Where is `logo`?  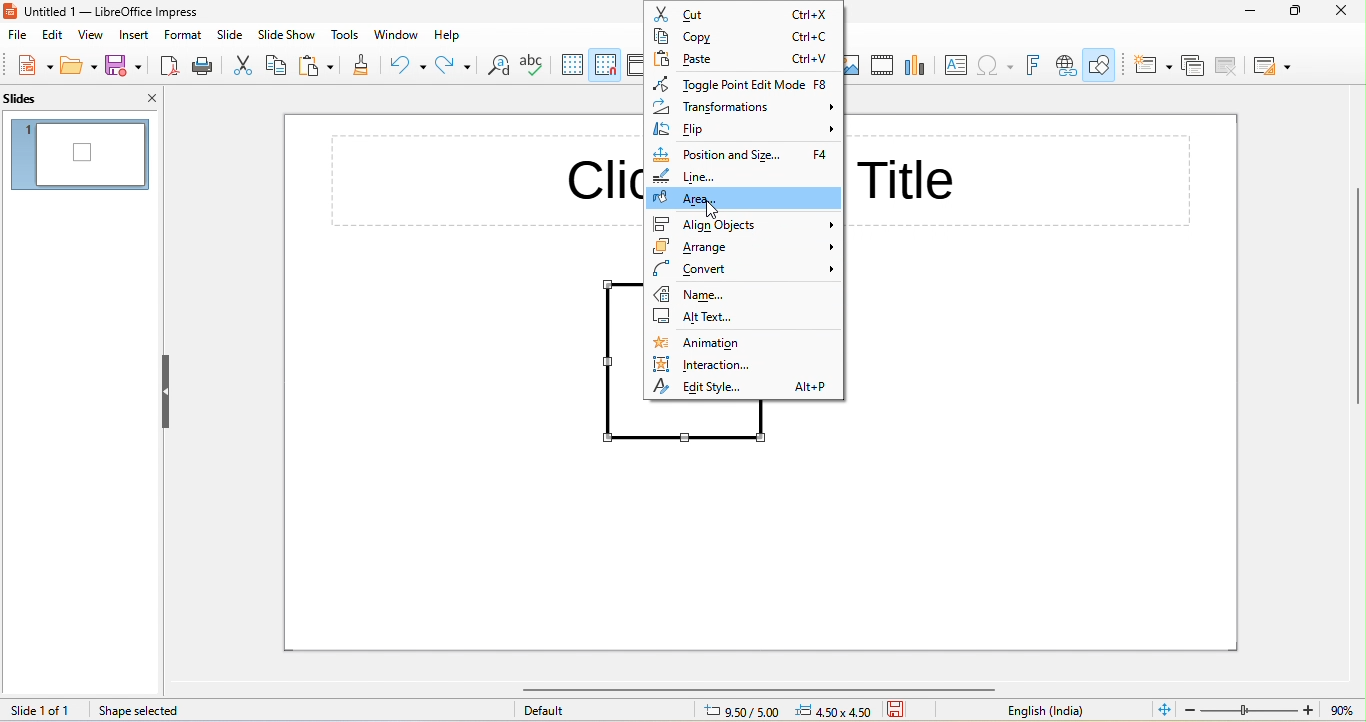 logo is located at coordinates (12, 12).